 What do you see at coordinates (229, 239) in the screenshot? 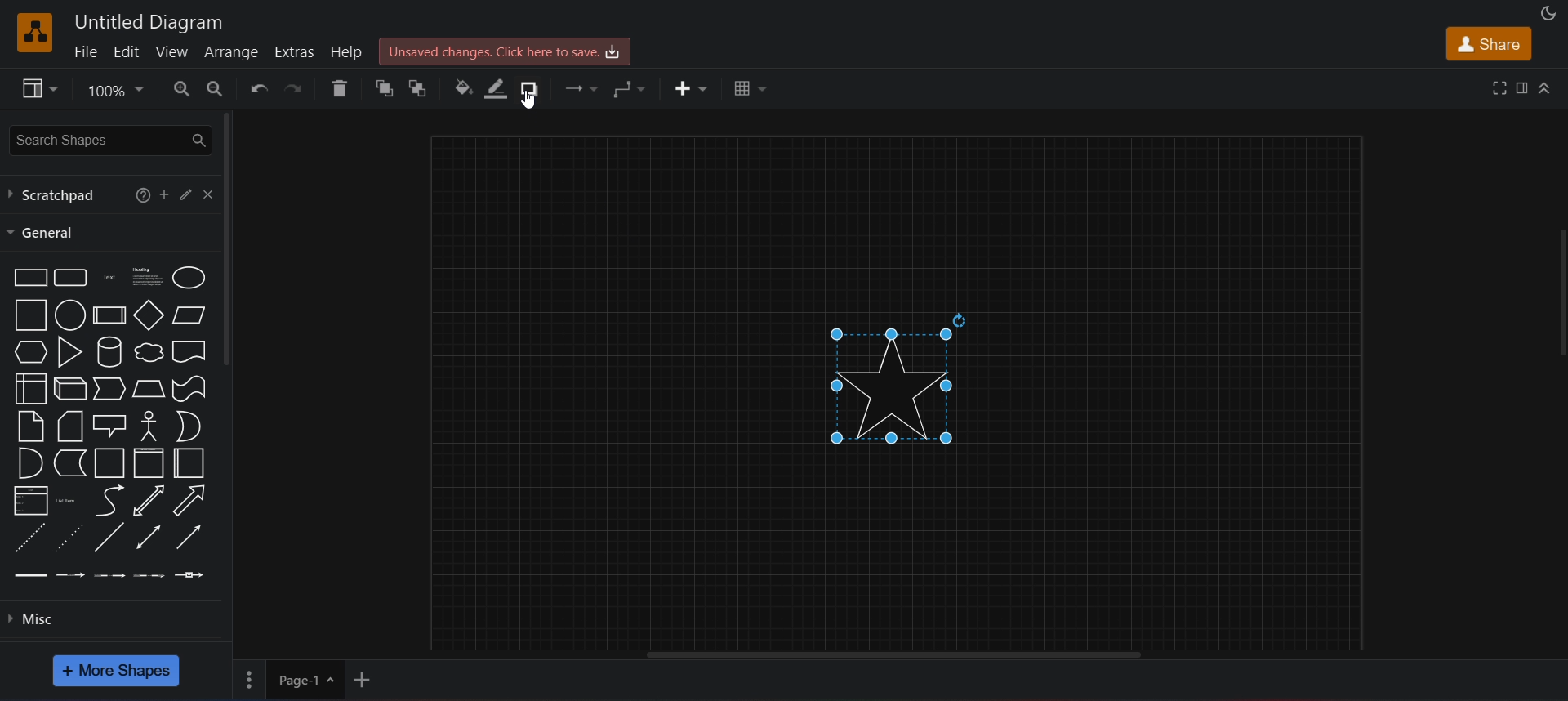
I see `vertical scroll bar` at bounding box center [229, 239].